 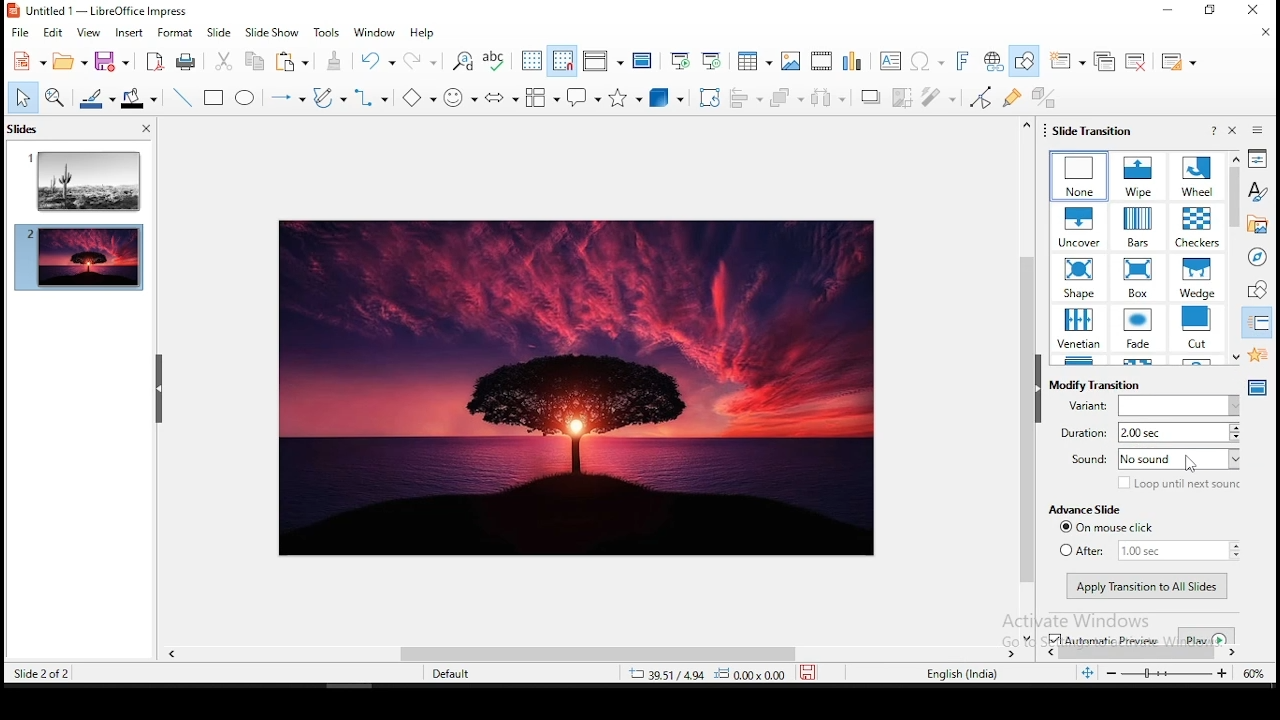 I want to click on Minimize, so click(x=1166, y=9).